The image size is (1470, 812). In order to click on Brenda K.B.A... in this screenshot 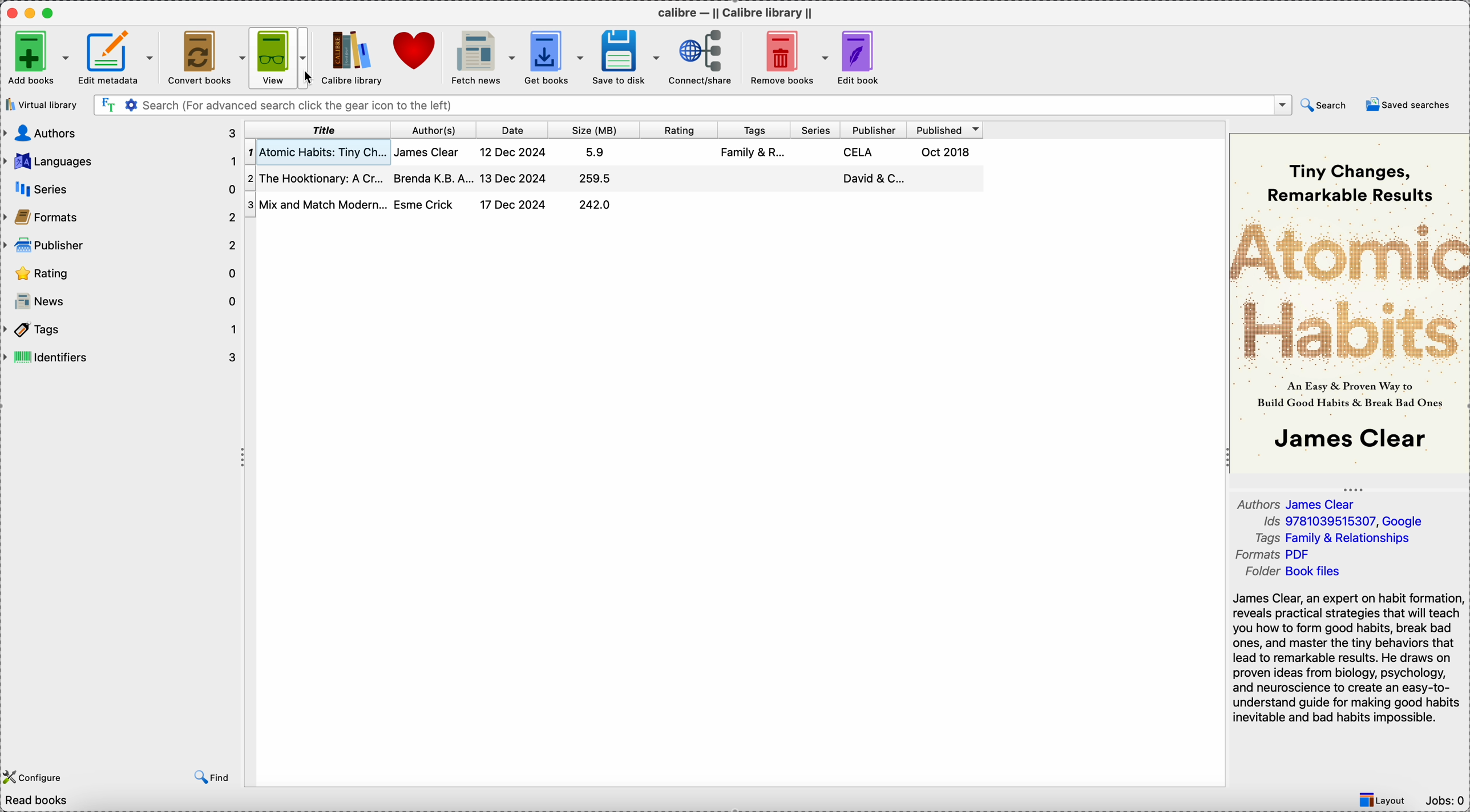, I will do `click(431, 178)`.